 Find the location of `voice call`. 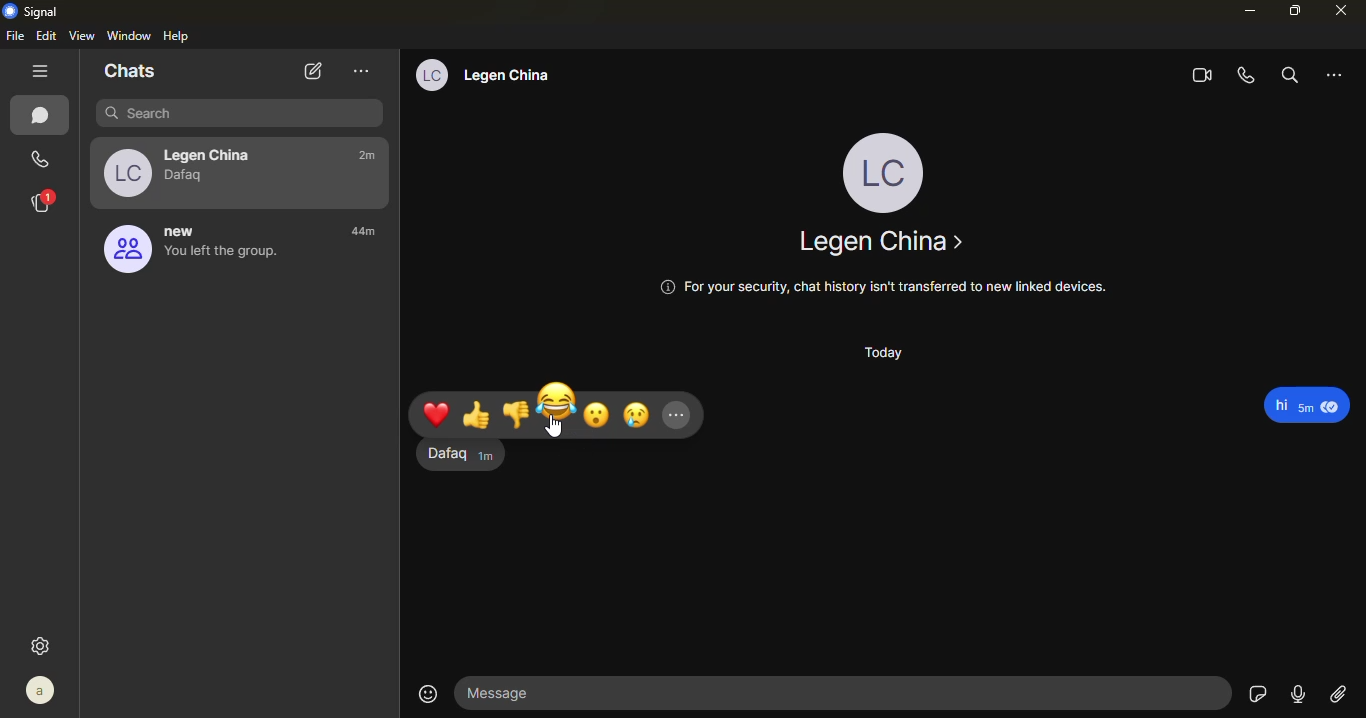

voice call is located at coordinates (1247, 76).